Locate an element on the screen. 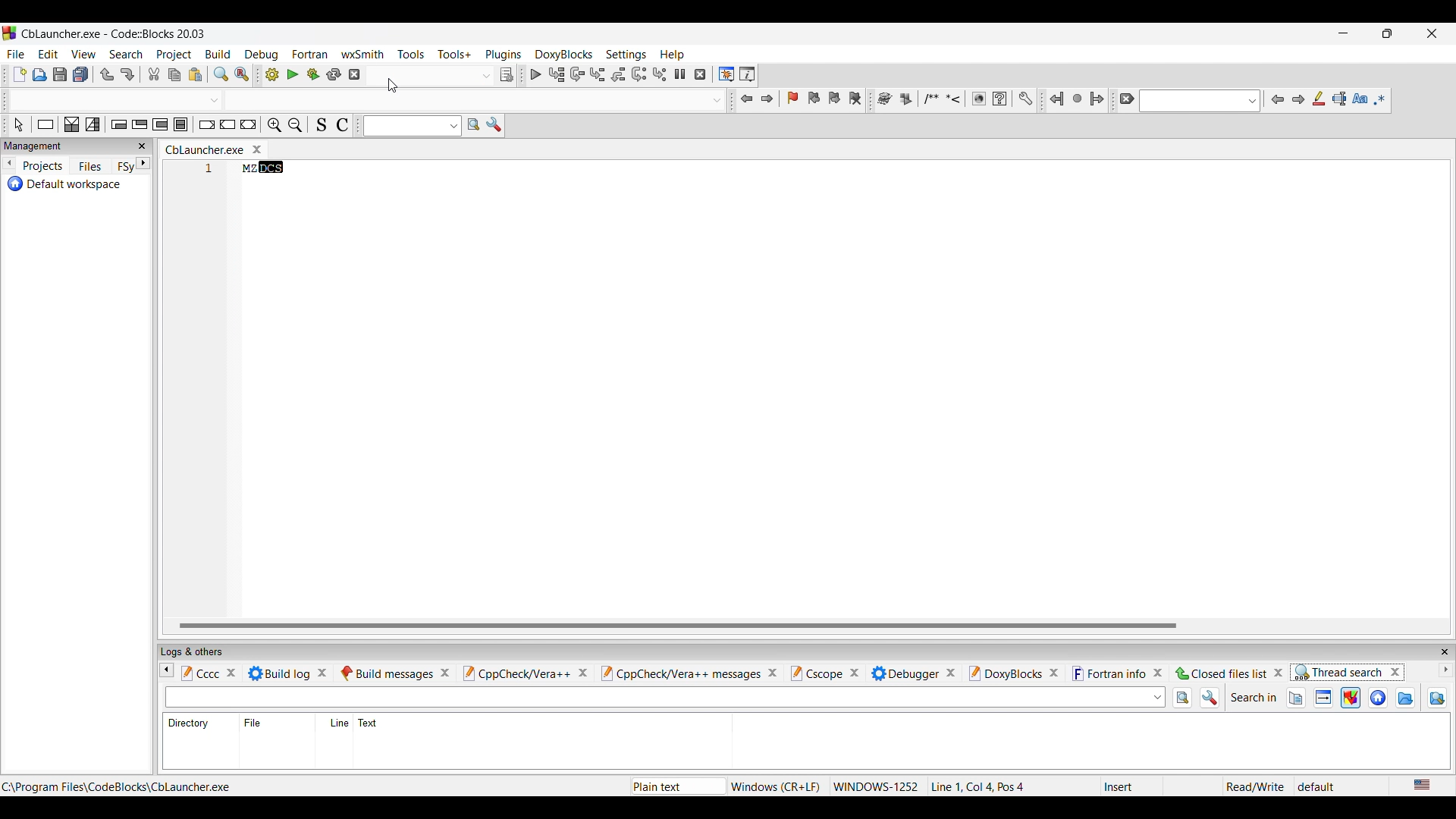 Image resolution: width=1456 pixels, height=819 pixels. Default workspace project is located at coordinates (67, 184).